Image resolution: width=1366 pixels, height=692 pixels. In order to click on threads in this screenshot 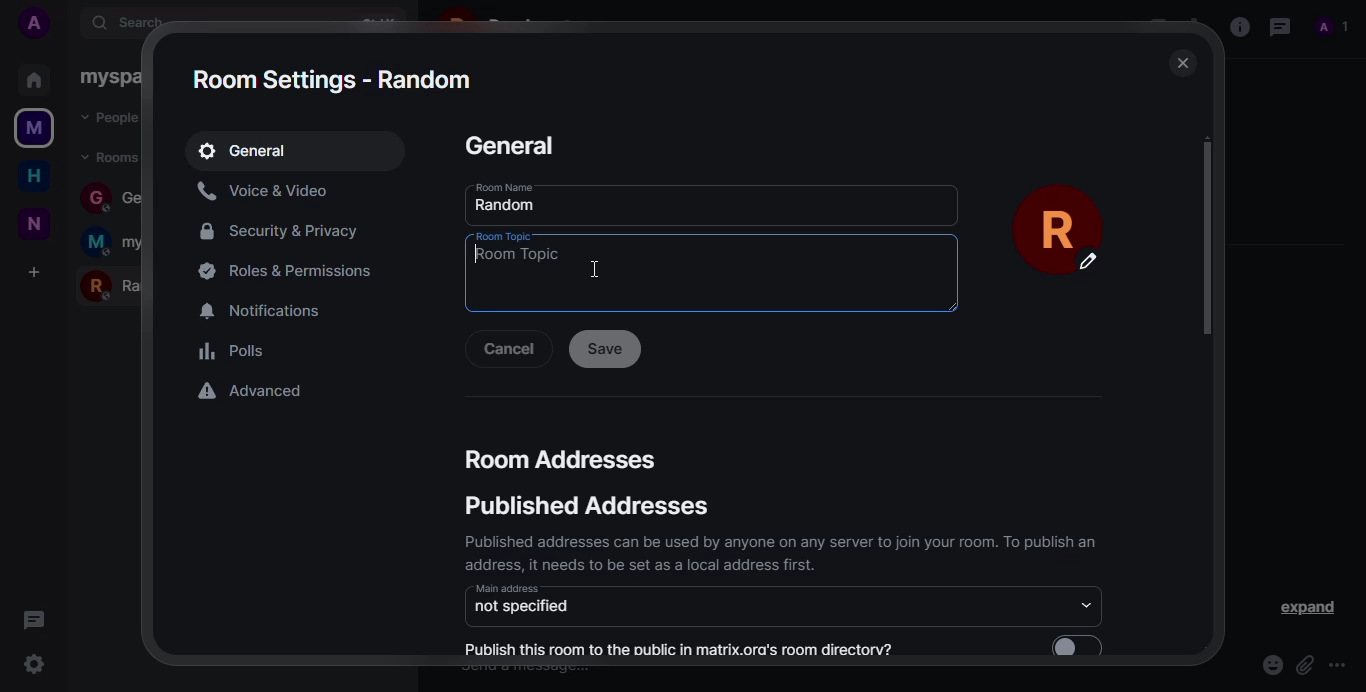, I will do `click(33, 619)`.